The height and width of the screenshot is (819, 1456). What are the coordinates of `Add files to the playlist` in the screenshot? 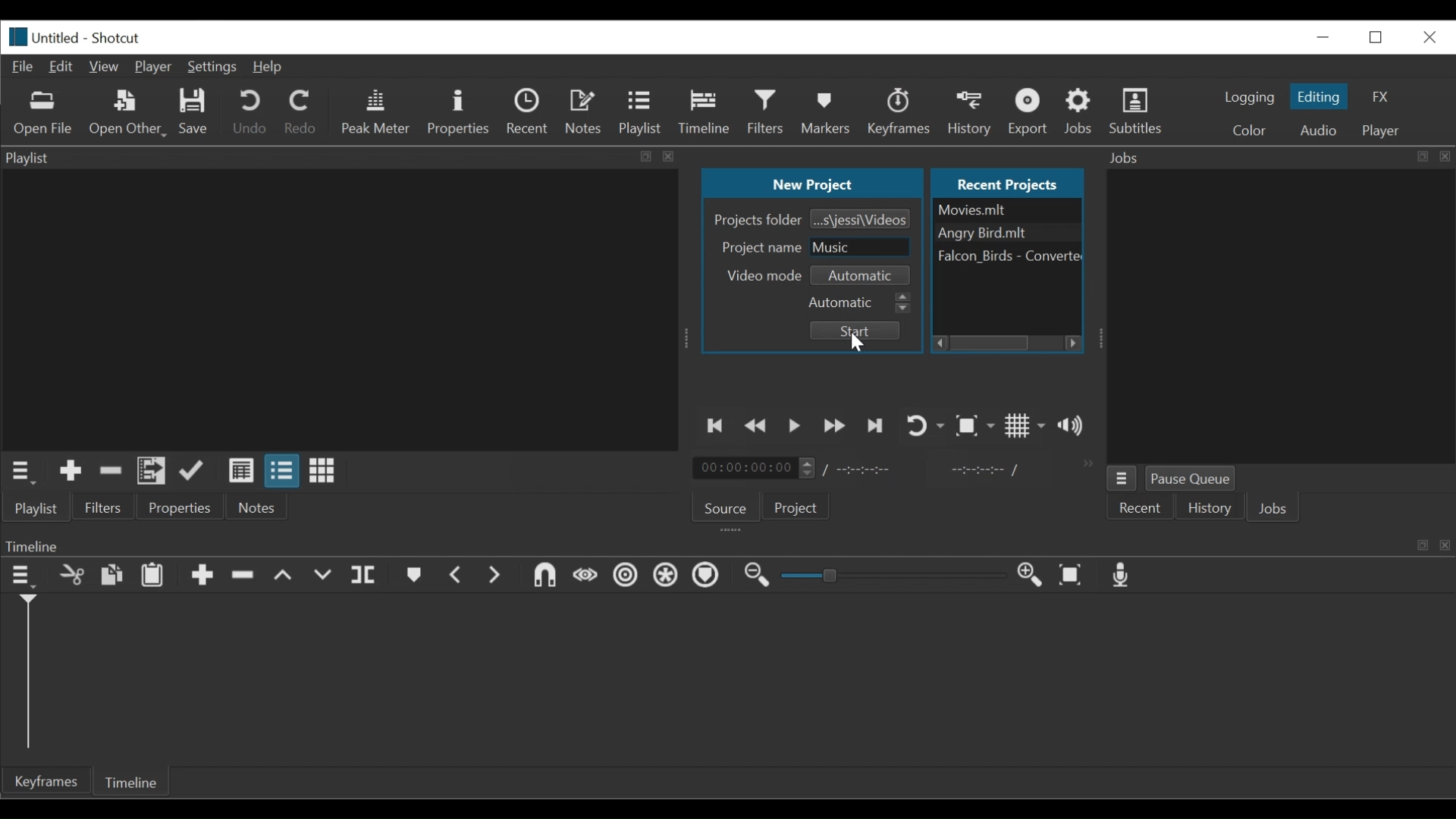 It's located at (152, 472).